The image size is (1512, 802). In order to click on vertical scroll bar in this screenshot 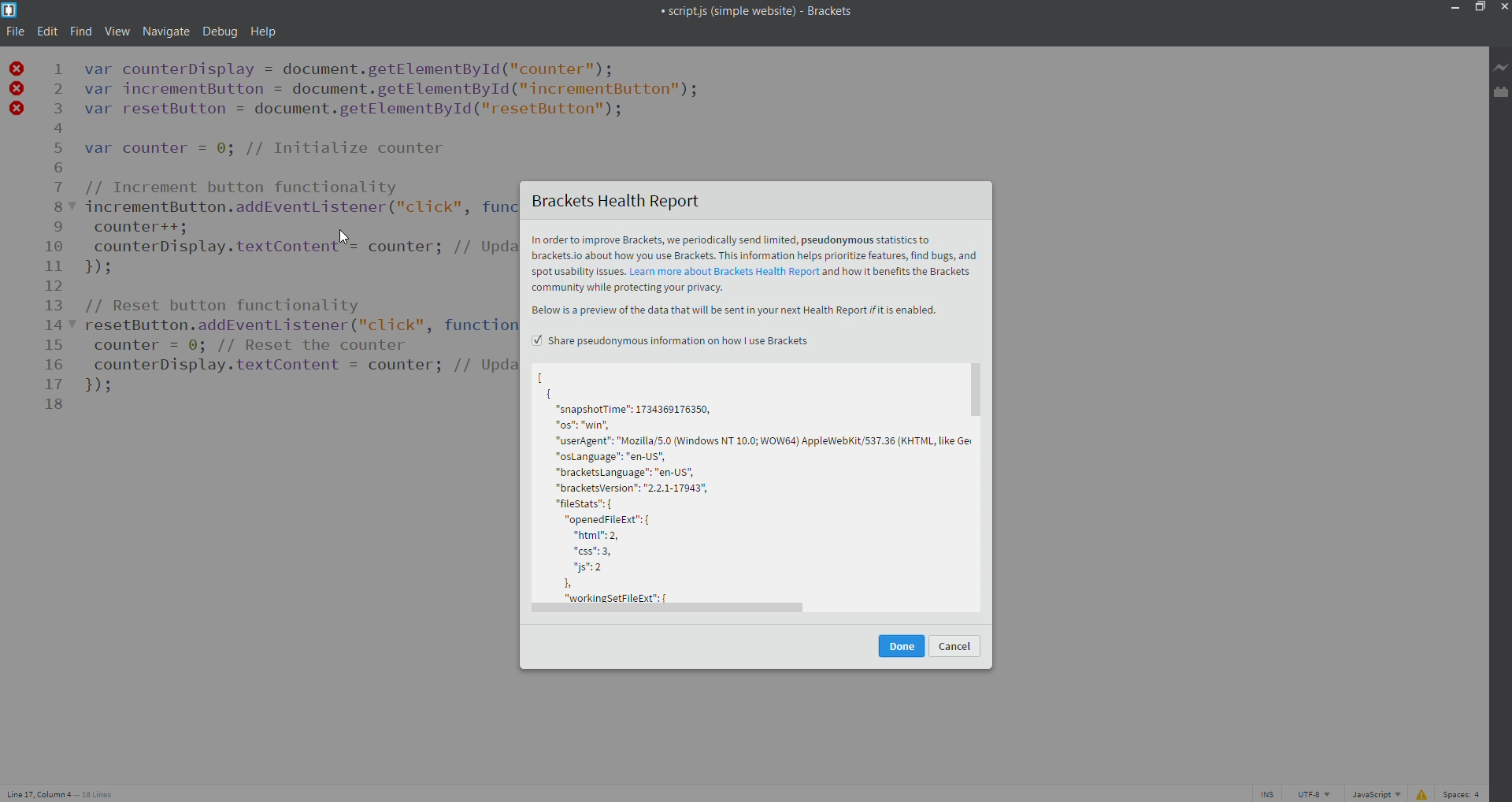, I will do `click(982, 483)`.